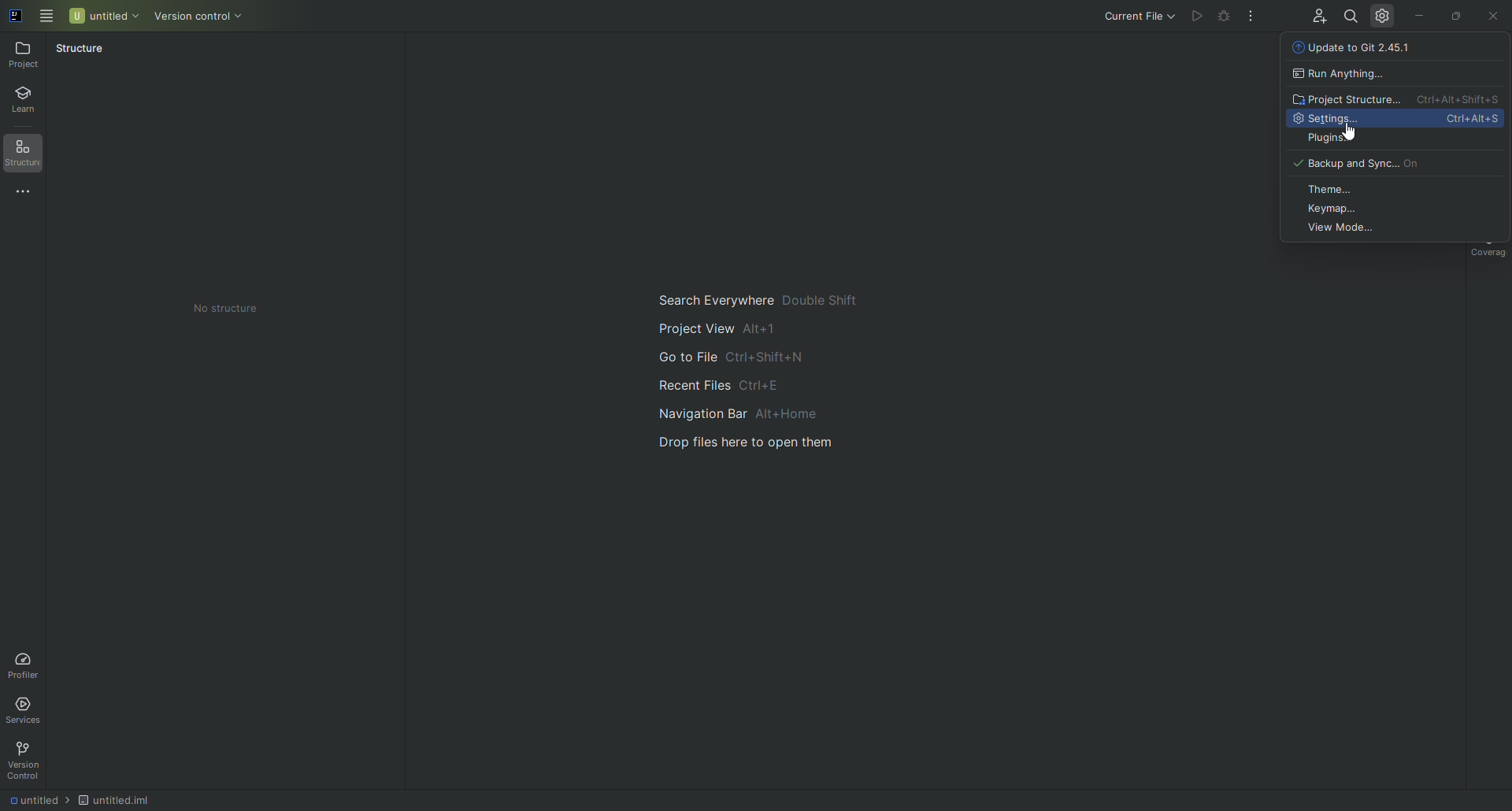 This screenshot has height=811, width=1512. I want to click on Coverage, so click(1488, 250).